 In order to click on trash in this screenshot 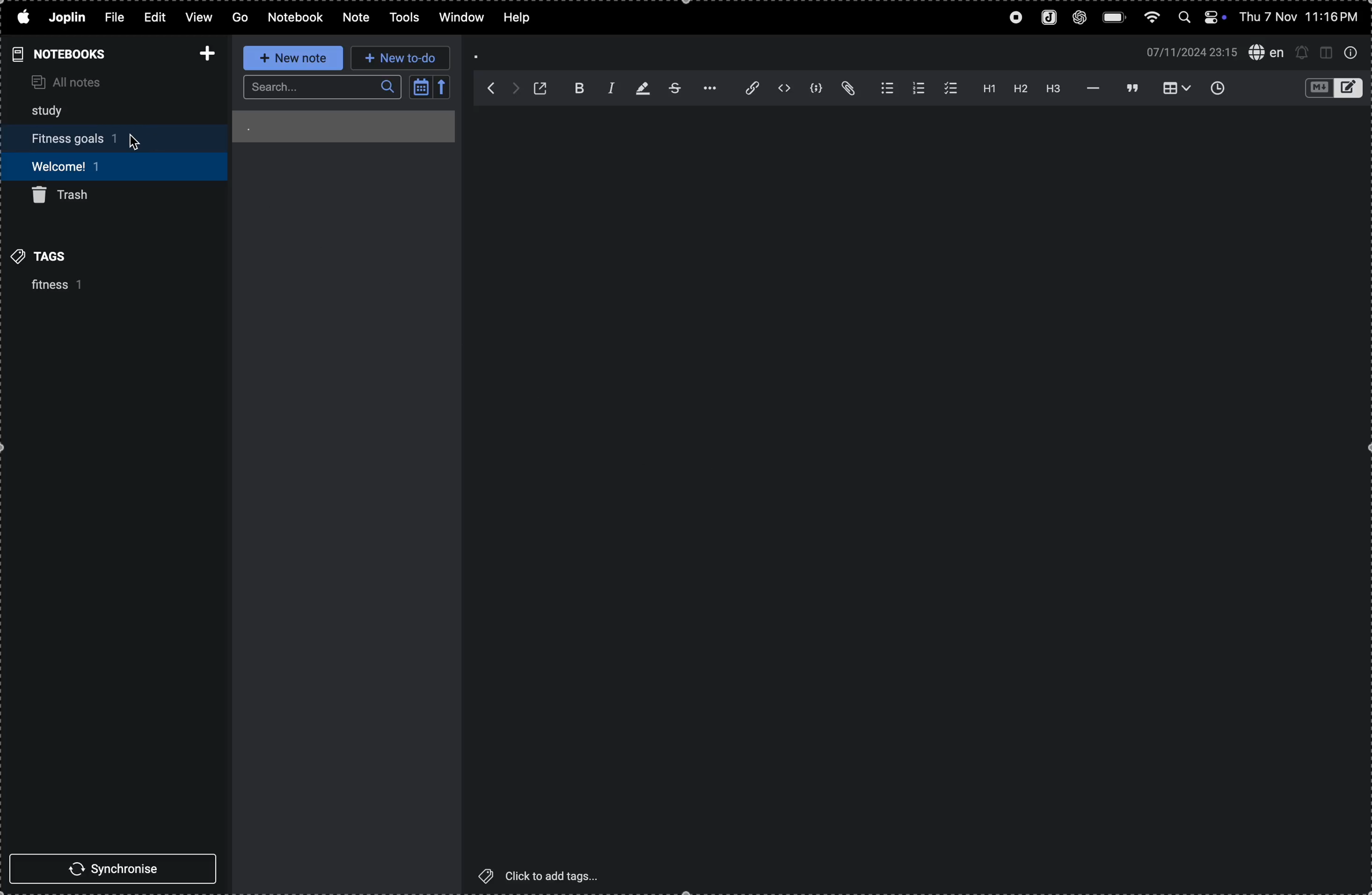, I will do `click(69, 196)`.